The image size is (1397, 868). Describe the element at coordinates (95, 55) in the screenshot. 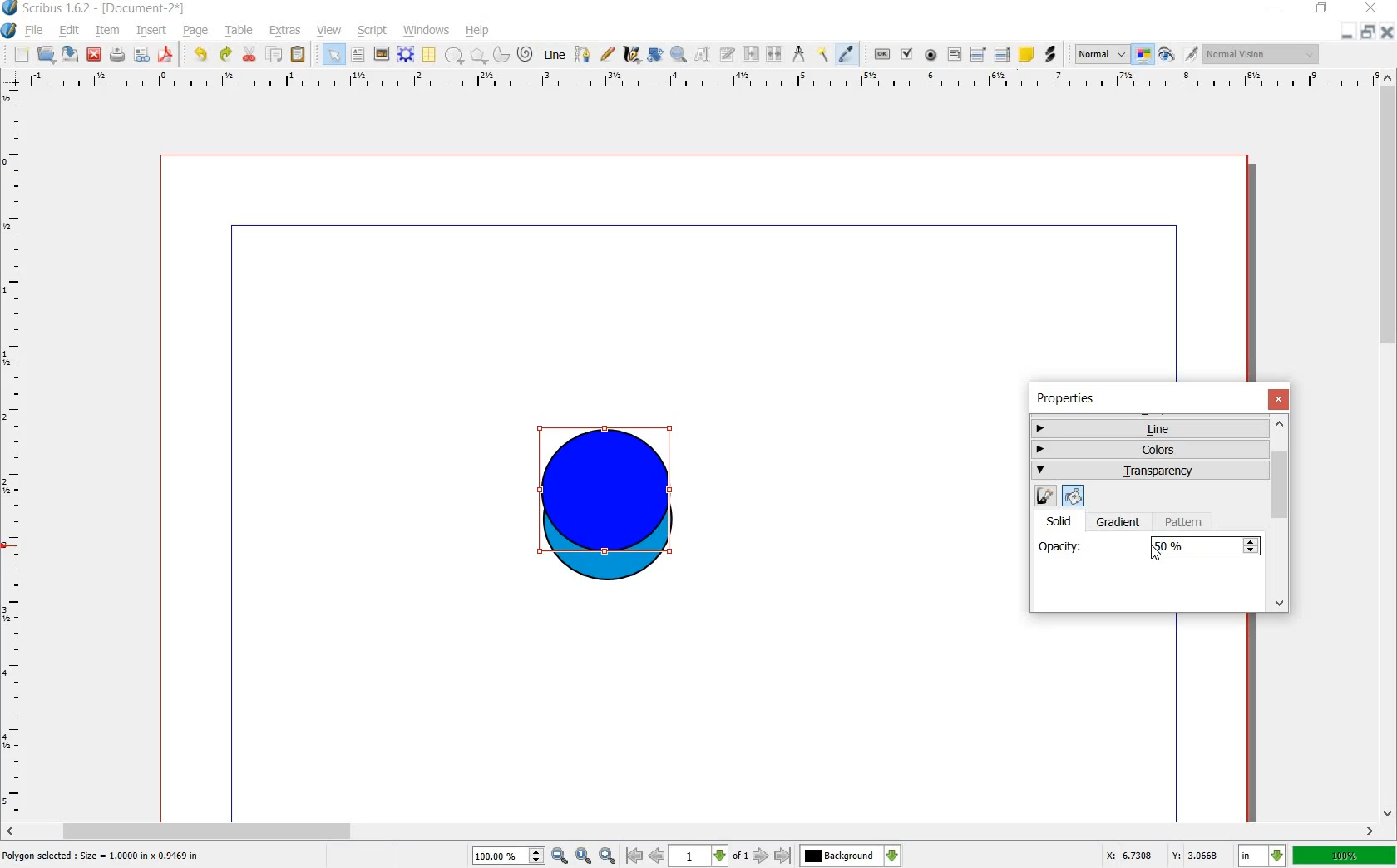

I see `close` at that location.